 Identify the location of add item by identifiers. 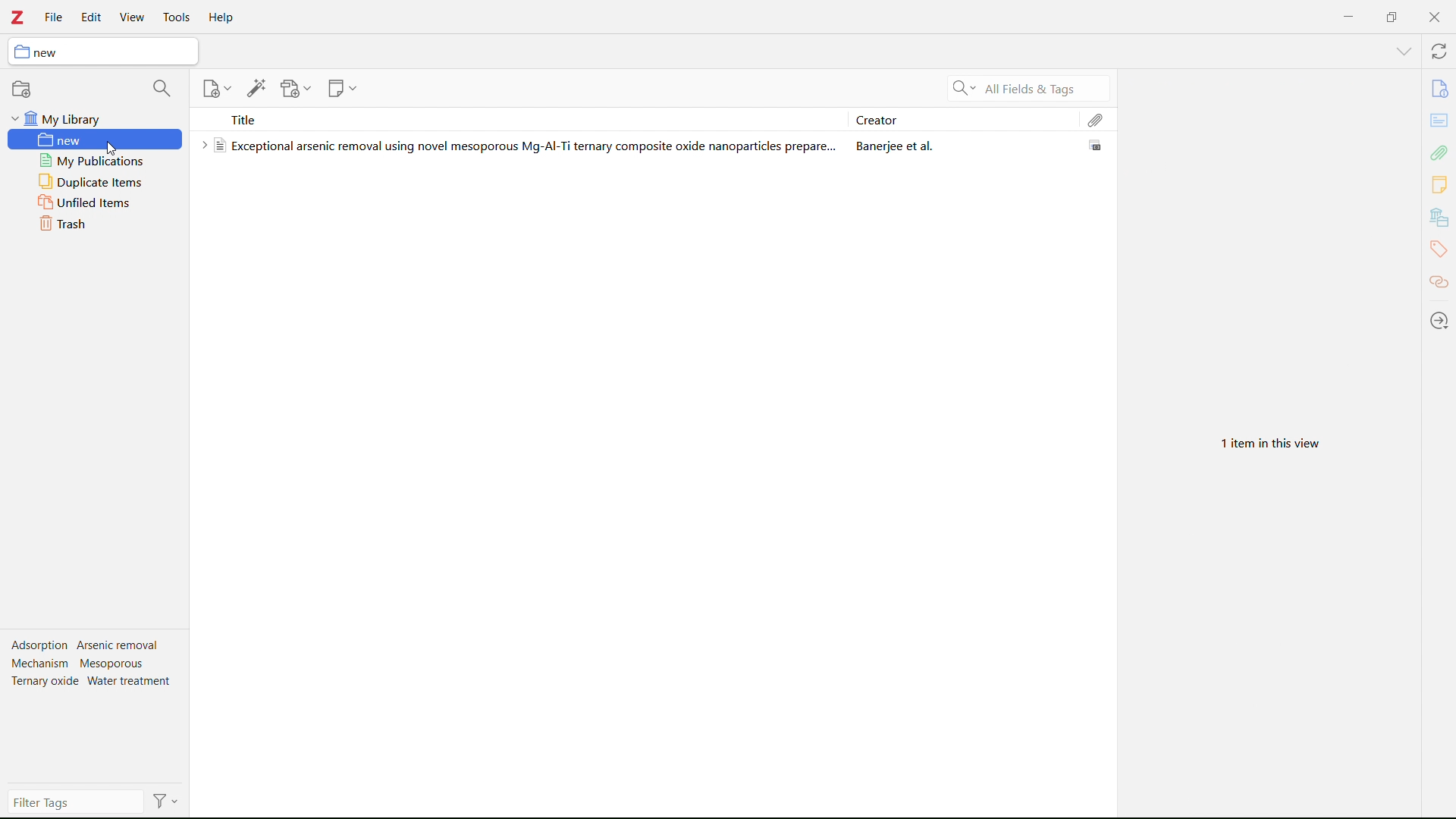
(257, 87).